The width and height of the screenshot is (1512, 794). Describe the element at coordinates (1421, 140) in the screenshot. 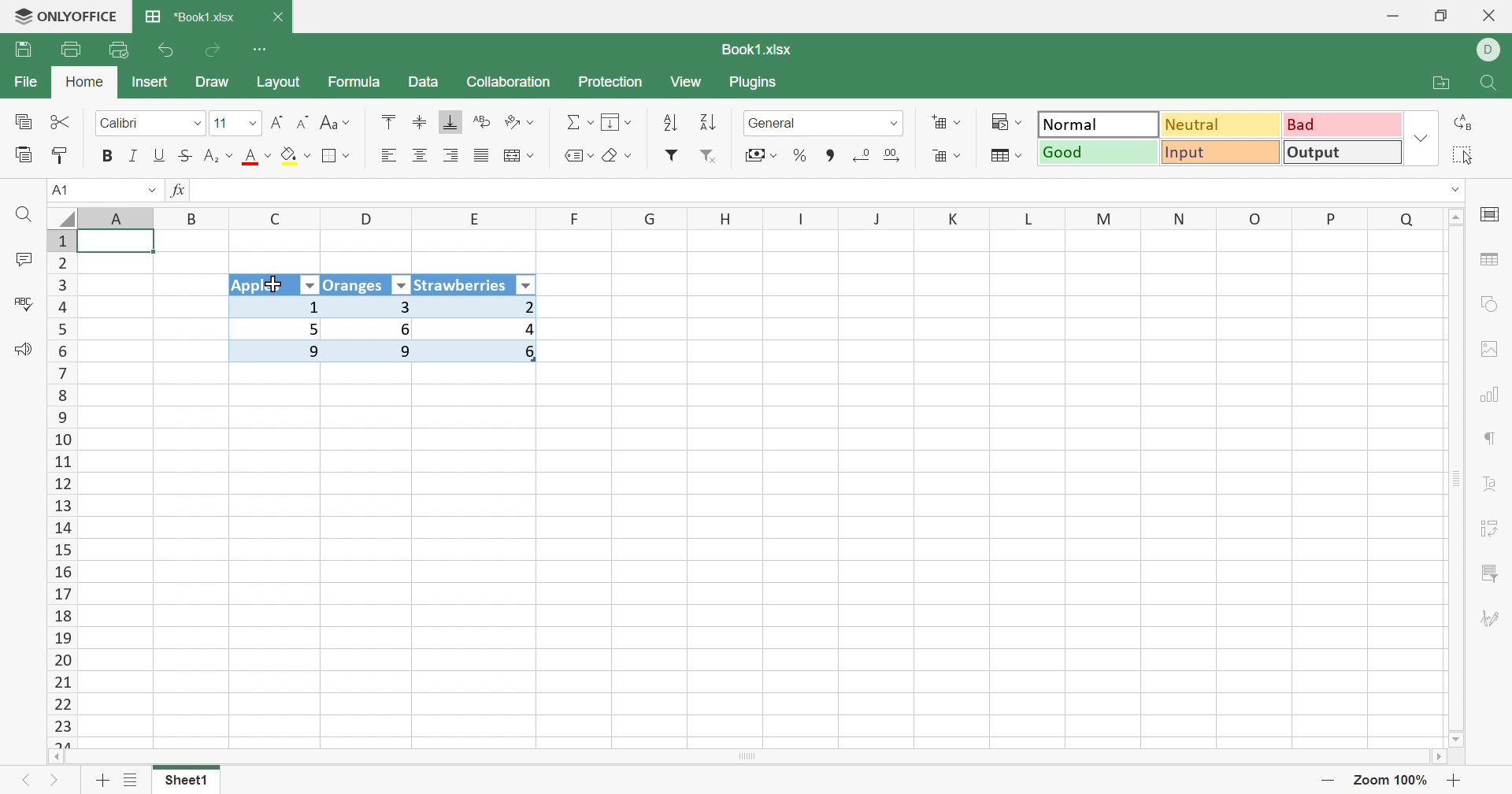

I see `Drop Down` at that location.